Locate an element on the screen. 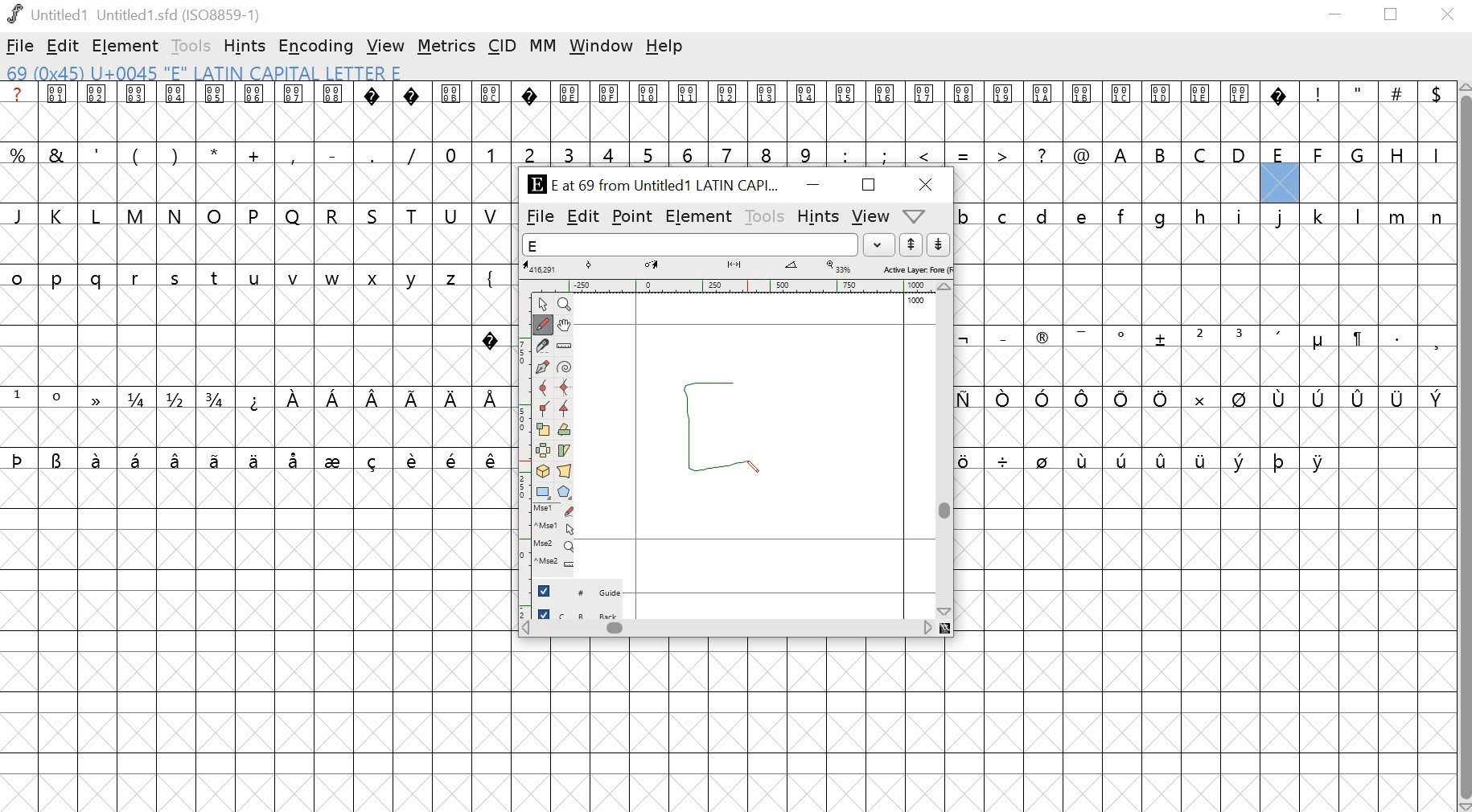 Image resolution: width=1472 pixels, height=812 pixels. tools is located at coordinates (763, 215).